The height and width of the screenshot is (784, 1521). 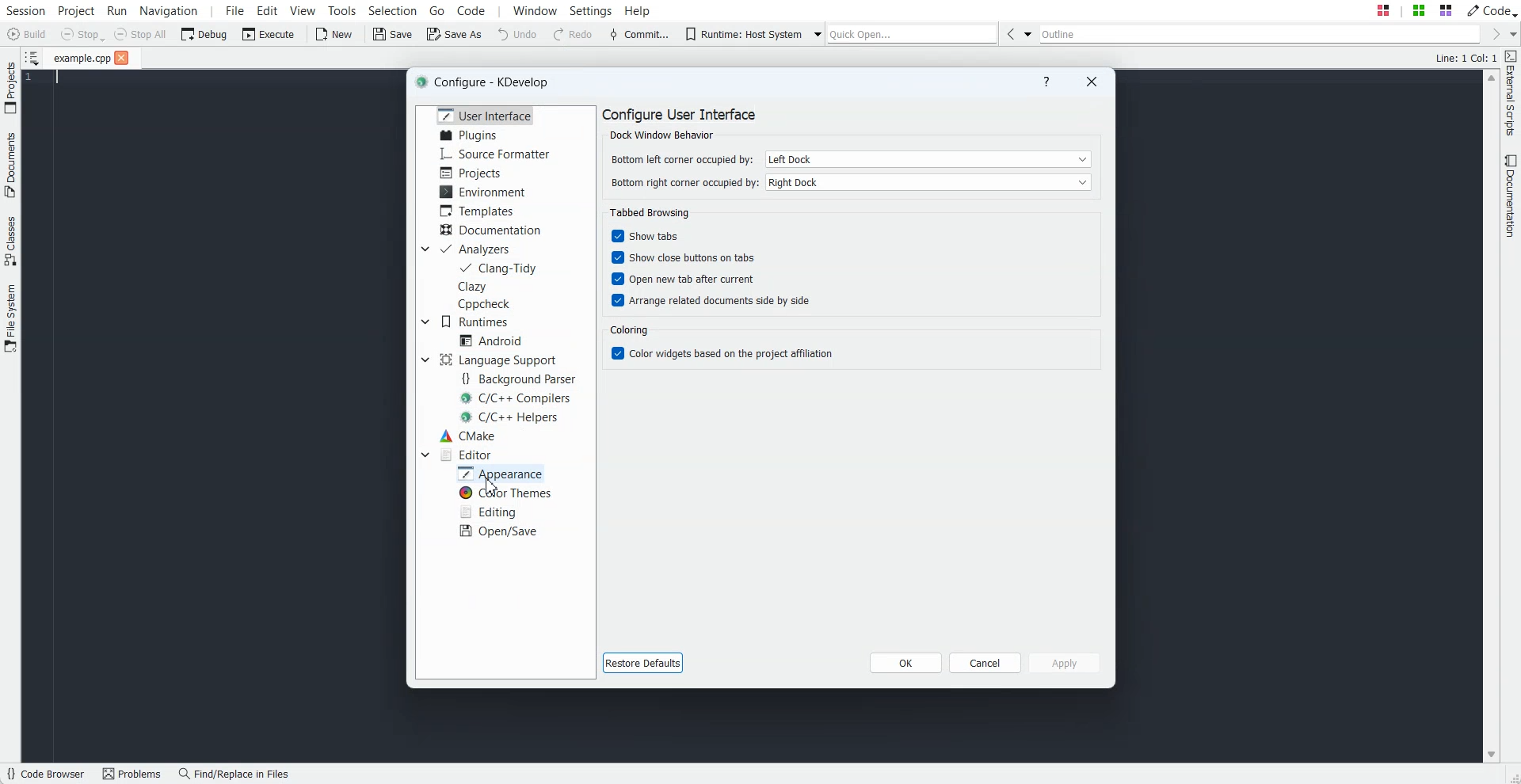 What do you see at coordinates (471, 135) in the screenshot?
I see `Plugins` at bounding box center [471, 135].